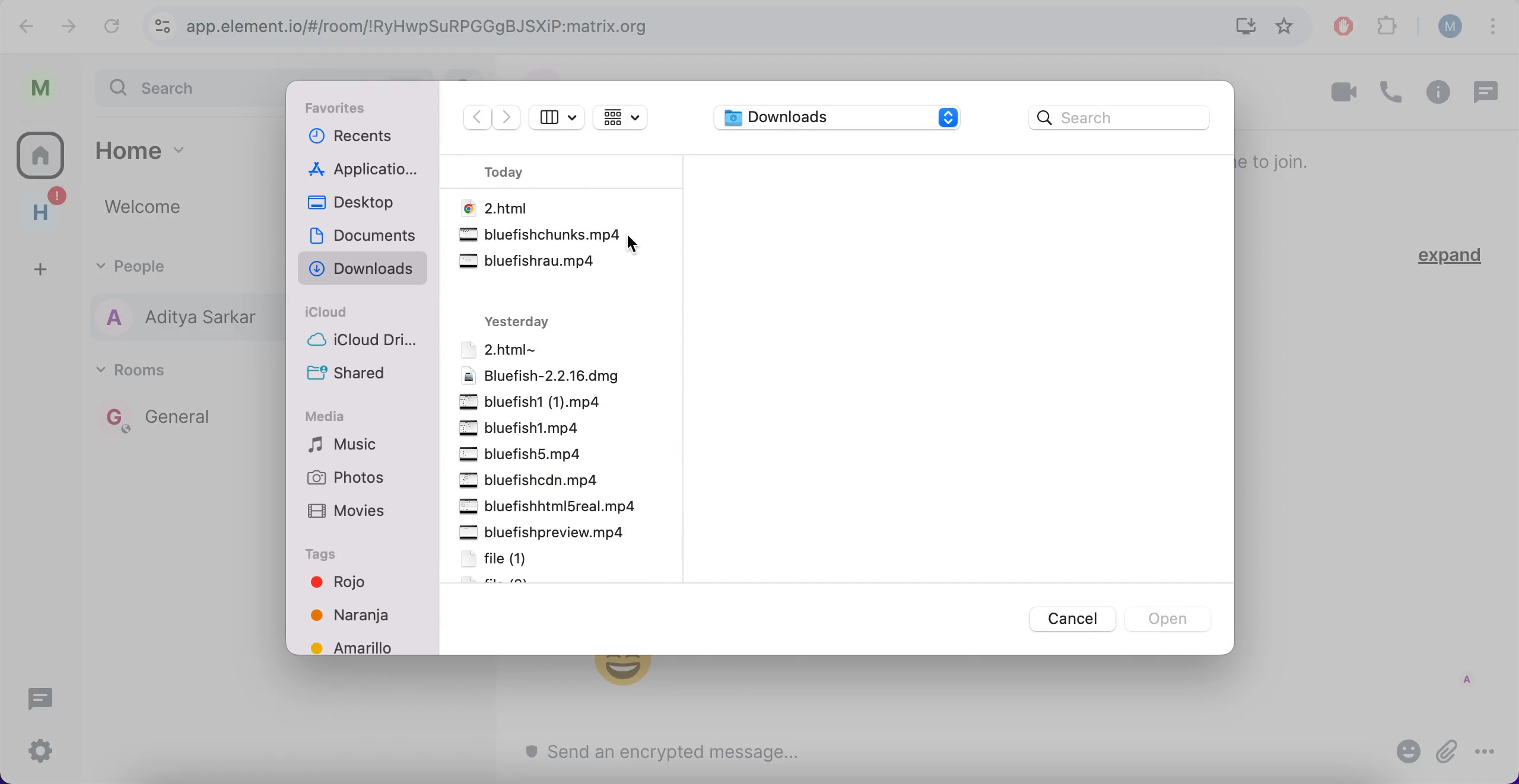 Image resolution: width=1519 pixels, height=784 pixels. Describe the element at coordinates (476, 122) in the screenshot. I see `backwards` at that location.